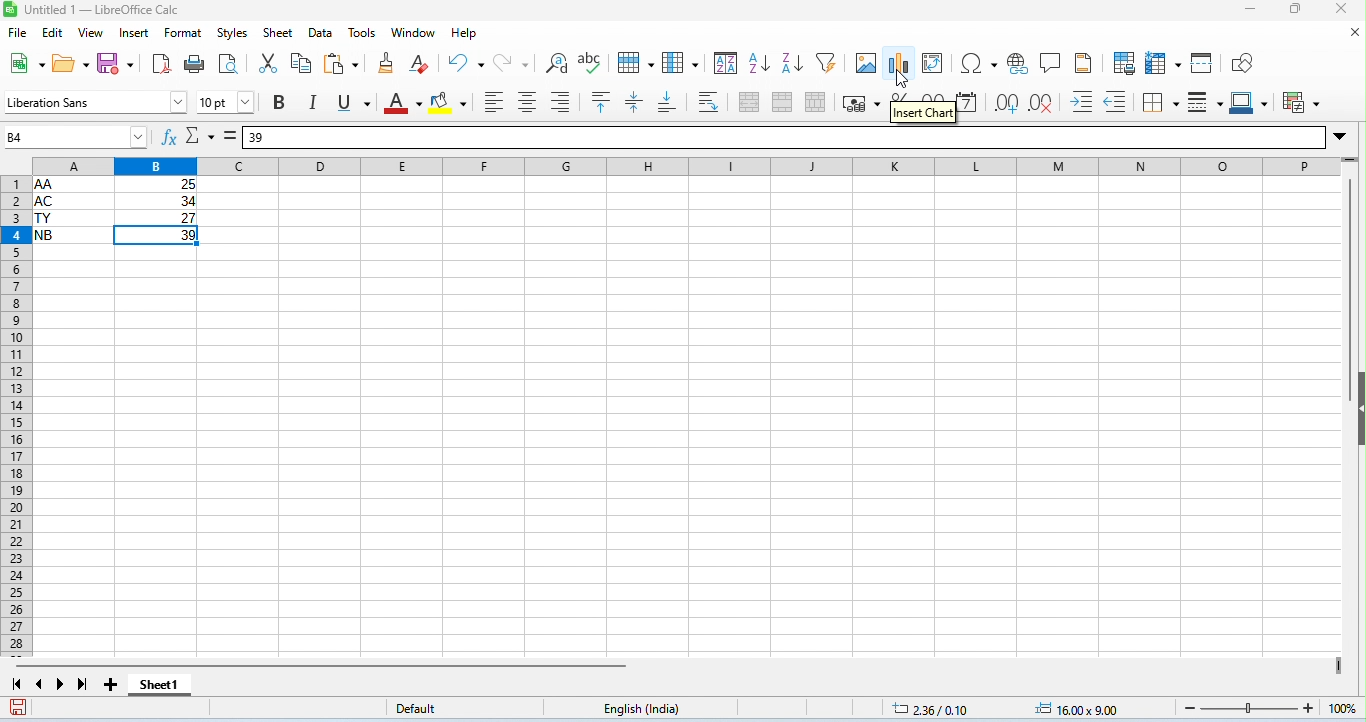 This screenshot has height=722, width=1366. Describe the element at coordinates (1042, 104) in the screenshot. I see `delete decimal` at that location.